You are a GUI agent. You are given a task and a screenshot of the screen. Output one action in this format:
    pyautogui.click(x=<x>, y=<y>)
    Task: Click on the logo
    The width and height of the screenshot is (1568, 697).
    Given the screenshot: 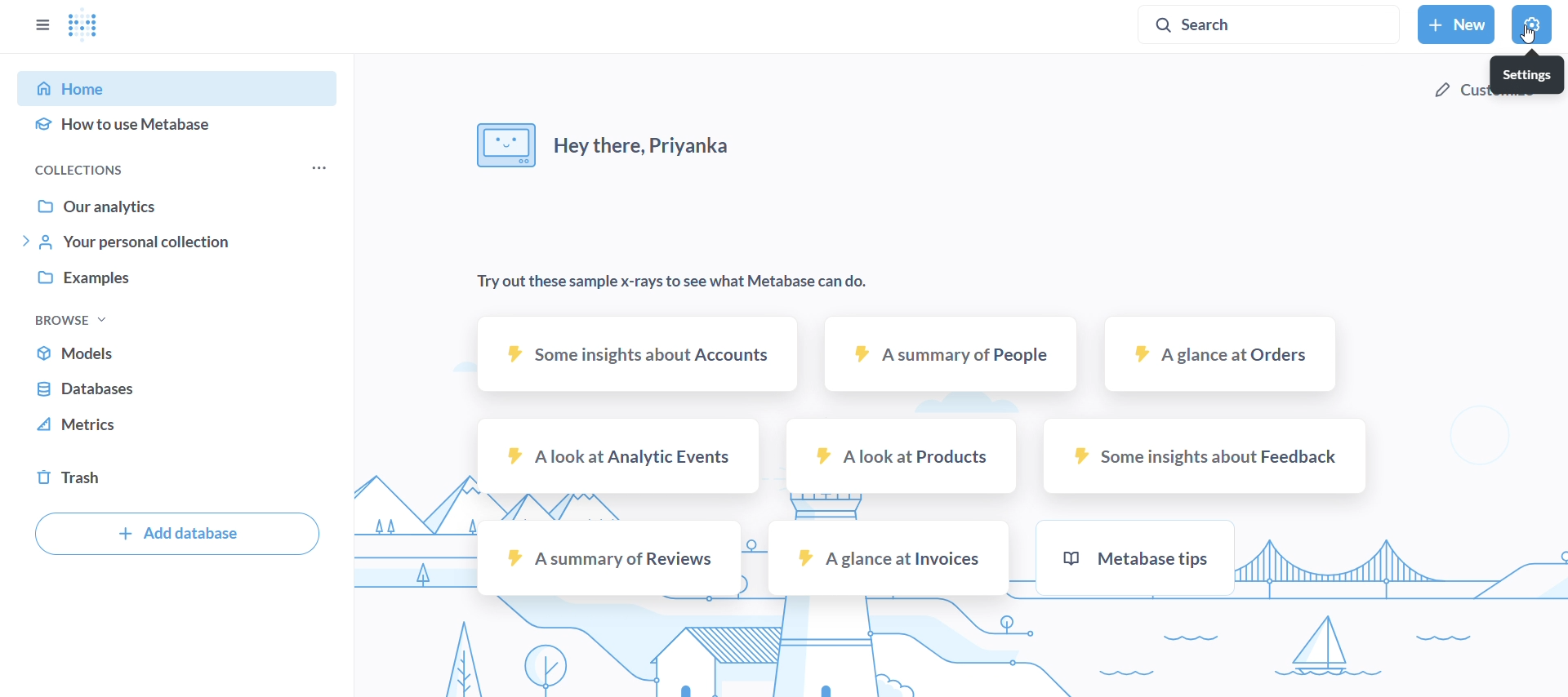 What is the action you would take?
    pyautogui.click(x=89, y=27)
    